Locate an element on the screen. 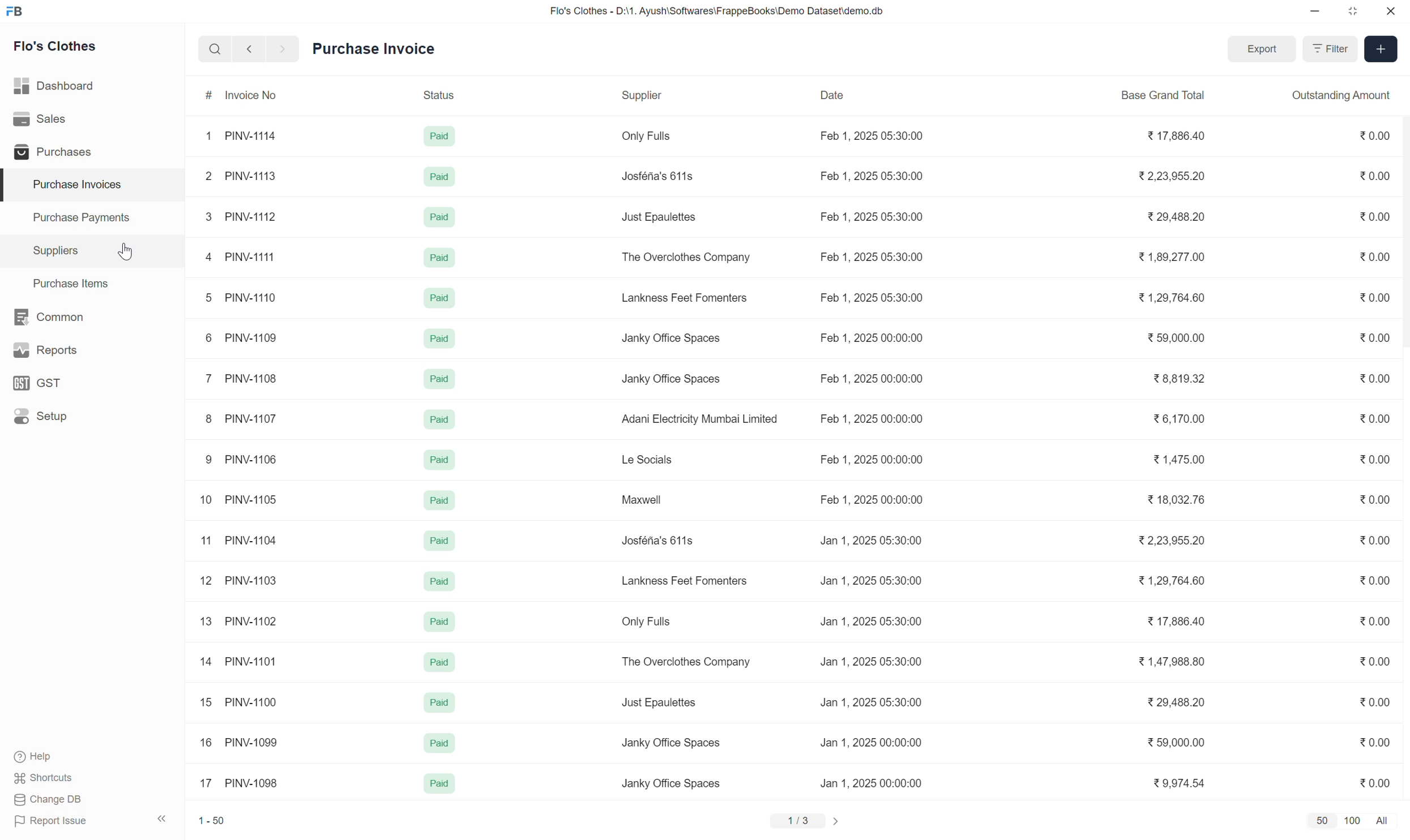 This screenshot has height=840, width=1410. Feb 1, 2025 05:30:00 is located at coordinates (872, 256).